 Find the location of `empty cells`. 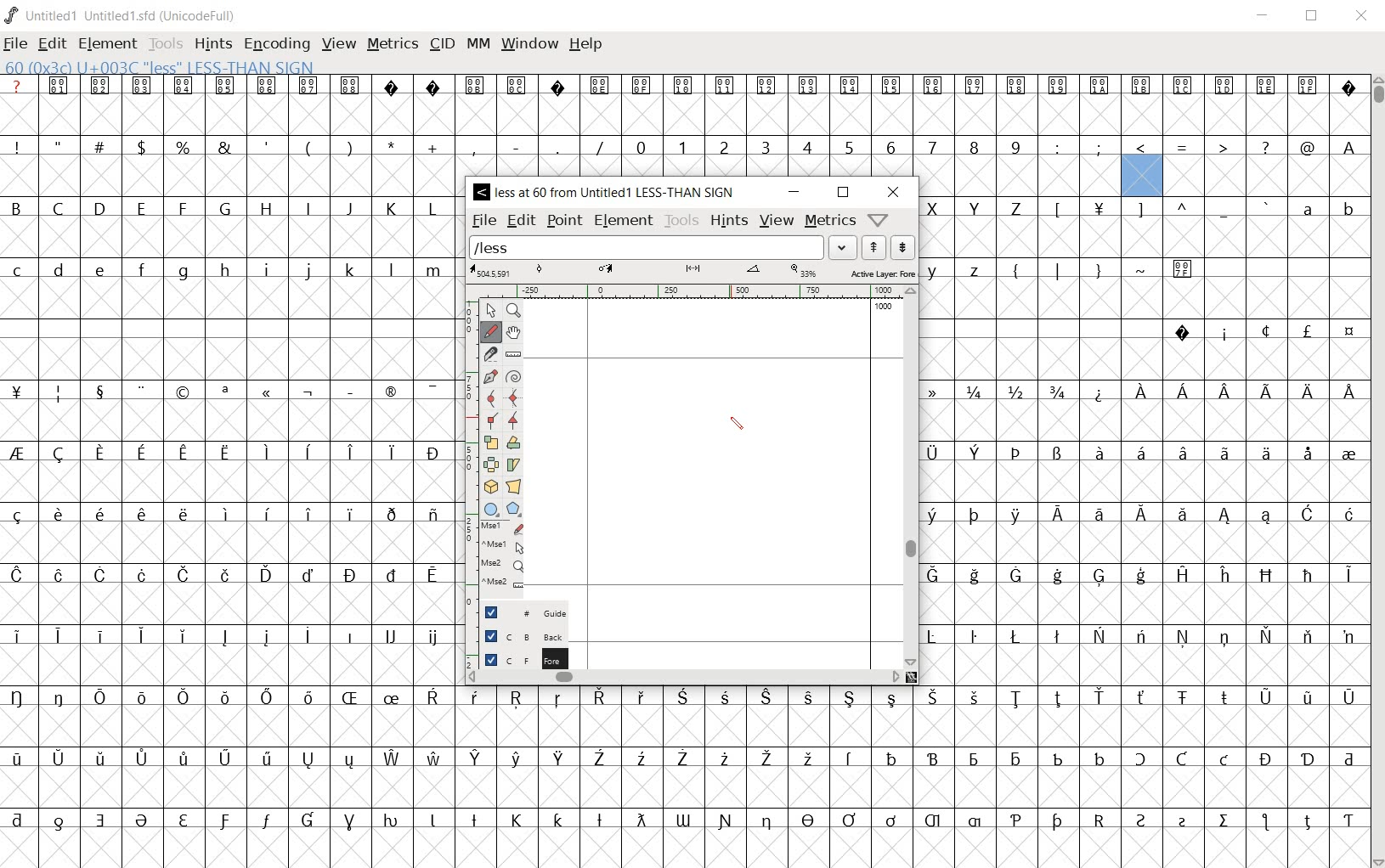

empty cells is located at coordinates (229, 666).